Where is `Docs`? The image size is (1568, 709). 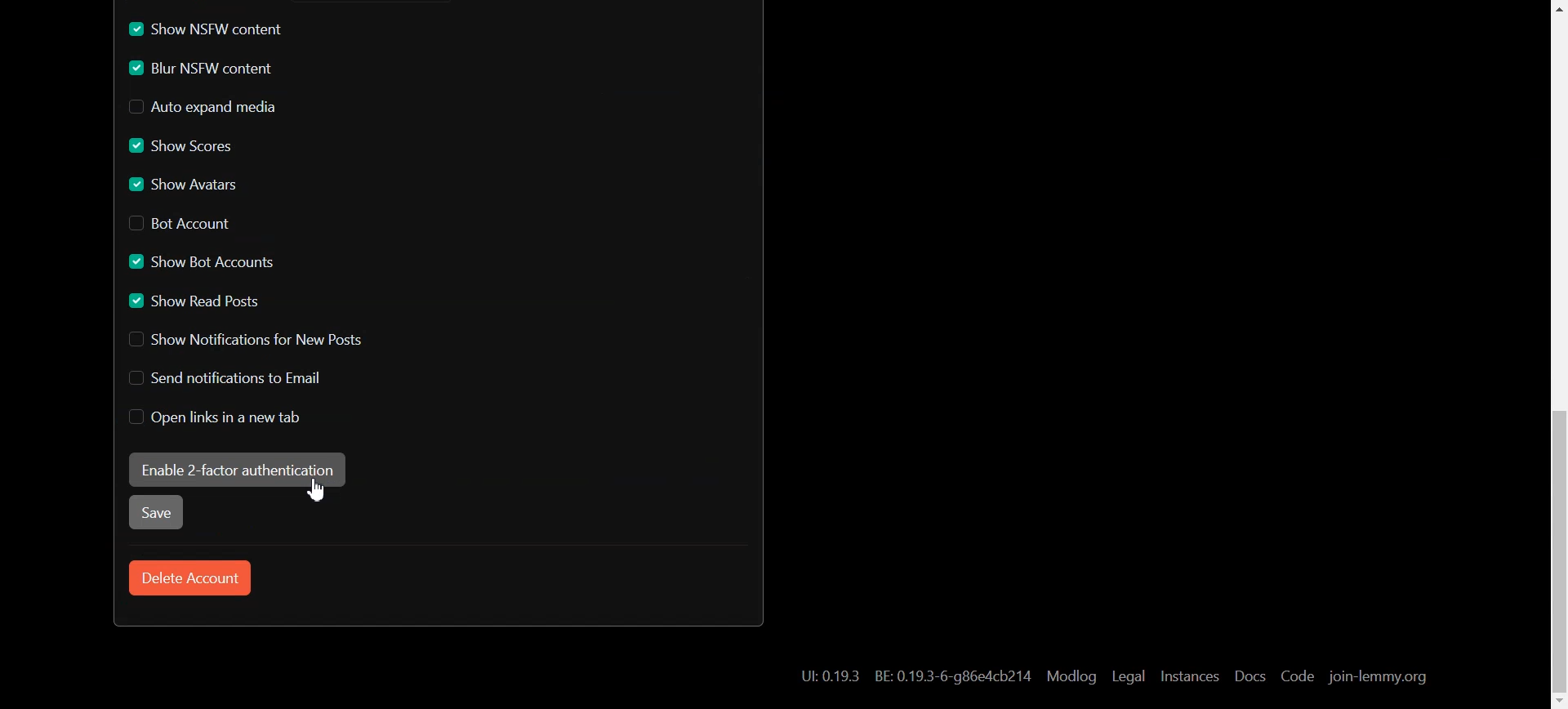
Docs is located at coordinates (1249, 677).